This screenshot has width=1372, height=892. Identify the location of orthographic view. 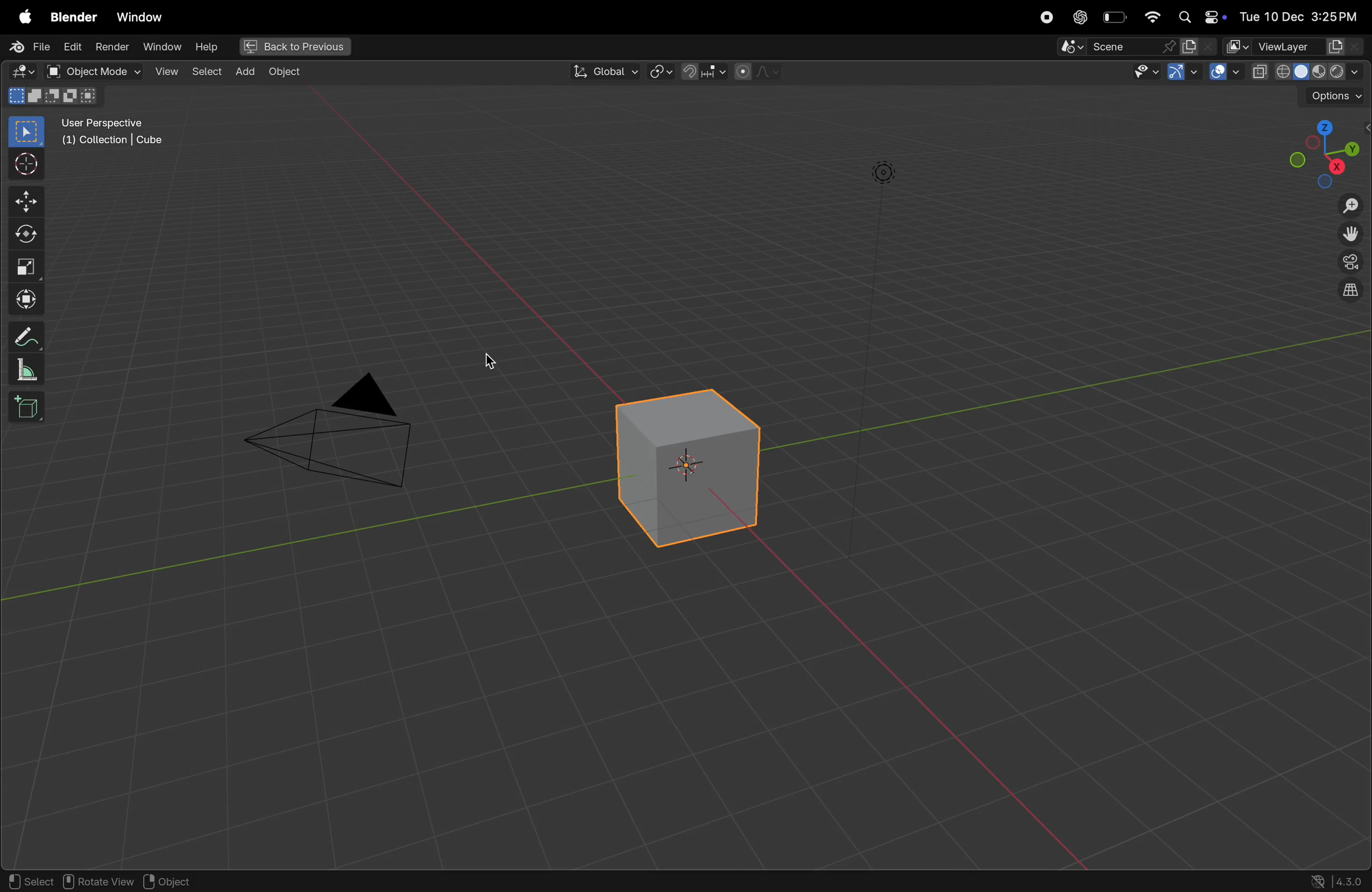
(1347, 293).